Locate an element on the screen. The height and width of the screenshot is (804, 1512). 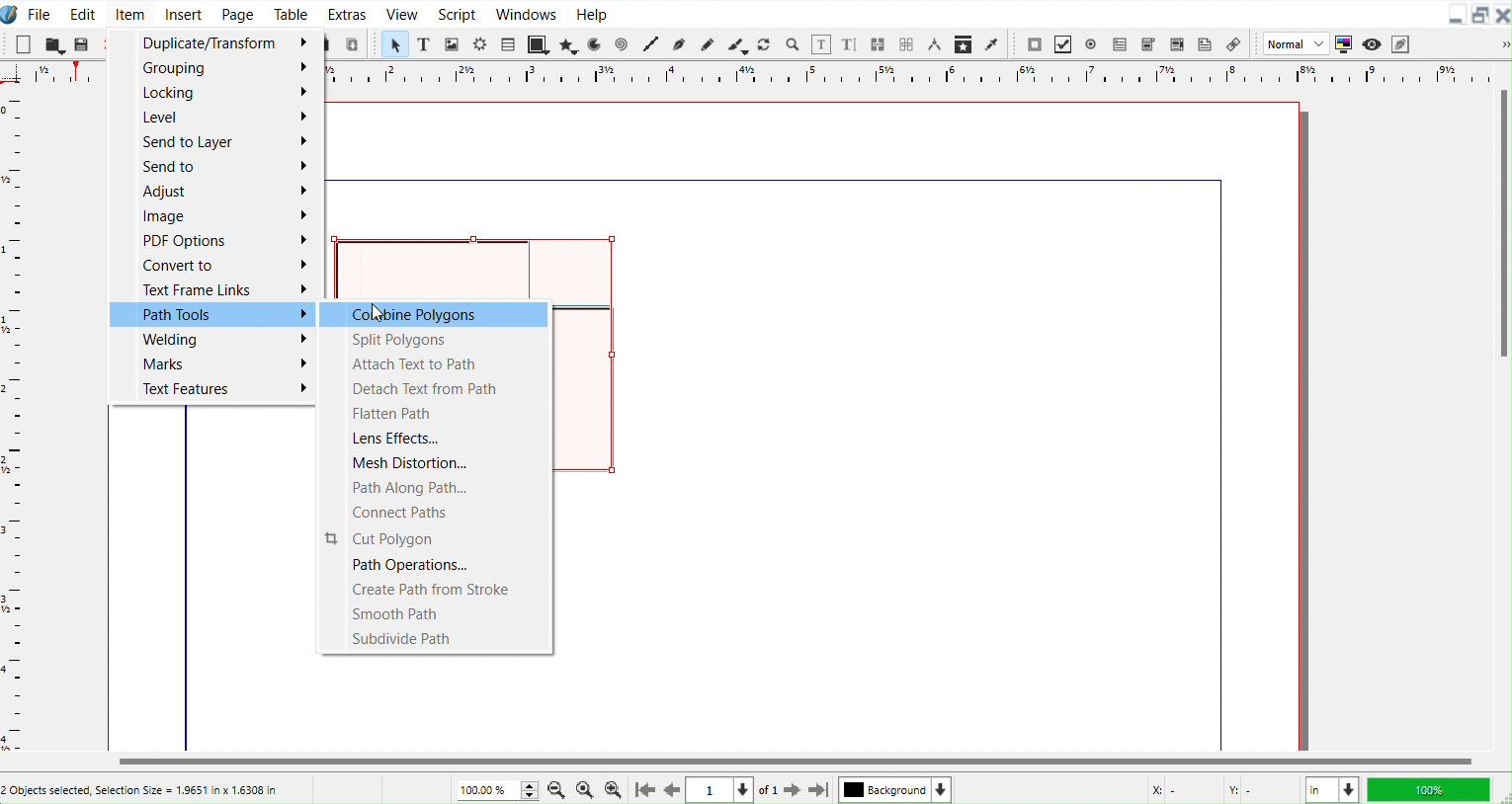
Image Frame is located at coordinates (453, 43).